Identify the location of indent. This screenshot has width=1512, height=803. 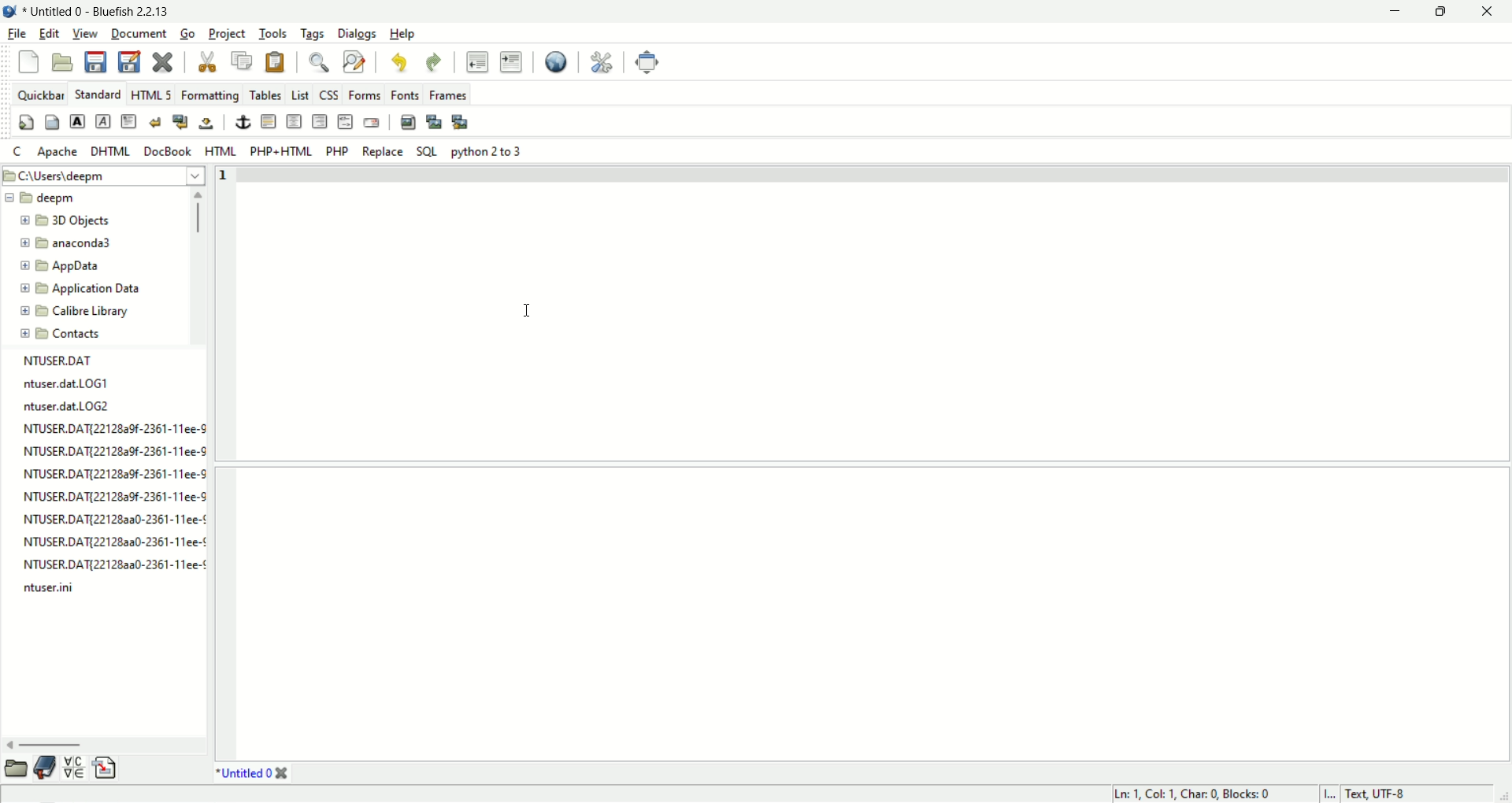
(515, 64).